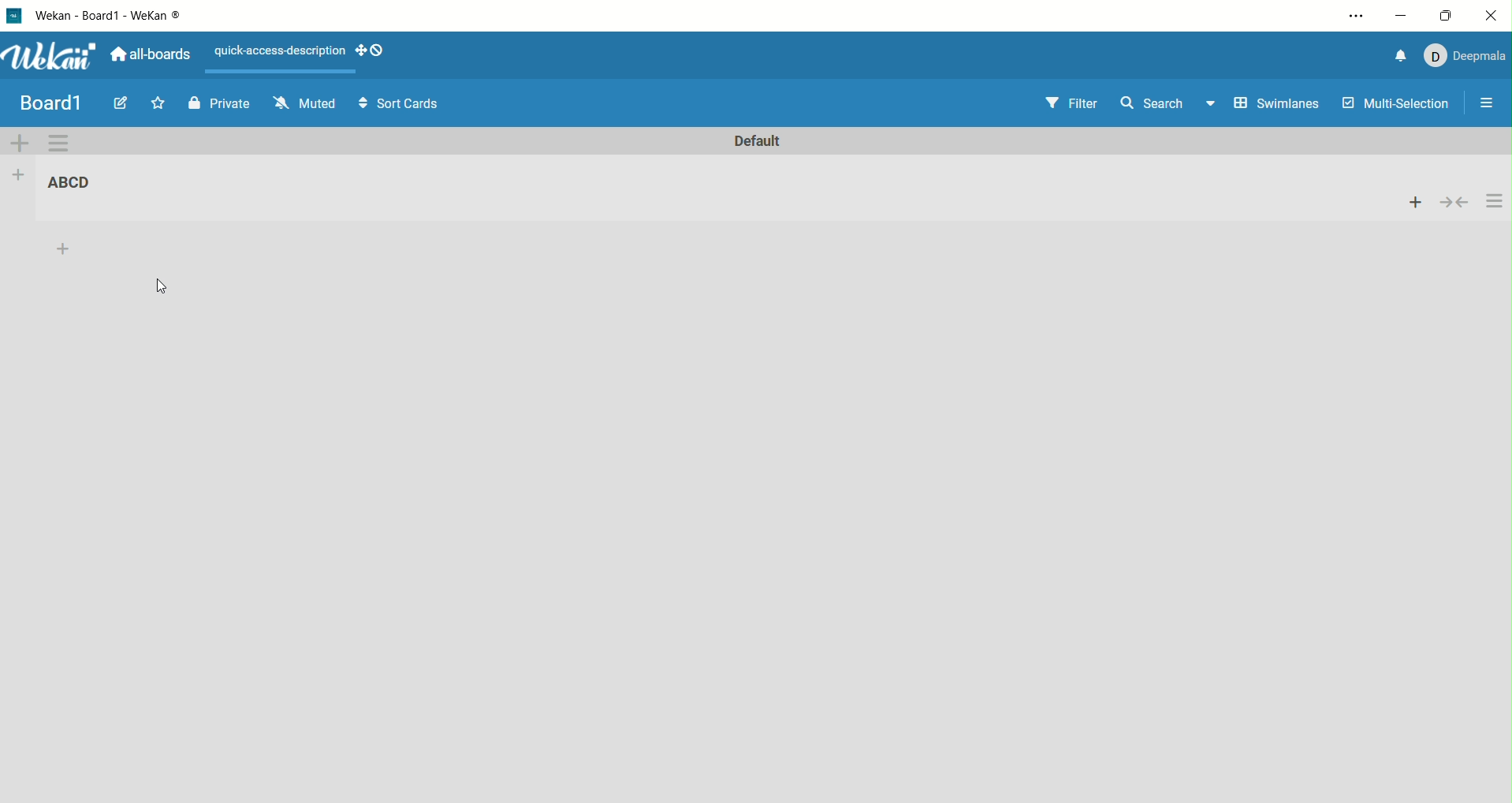 The width and height of the screenshot is (1512, 803). What do you see at coordinates (1492, 100) in the screenshot?
I see `open/close sidebar` at bounding box center [1492, 100].